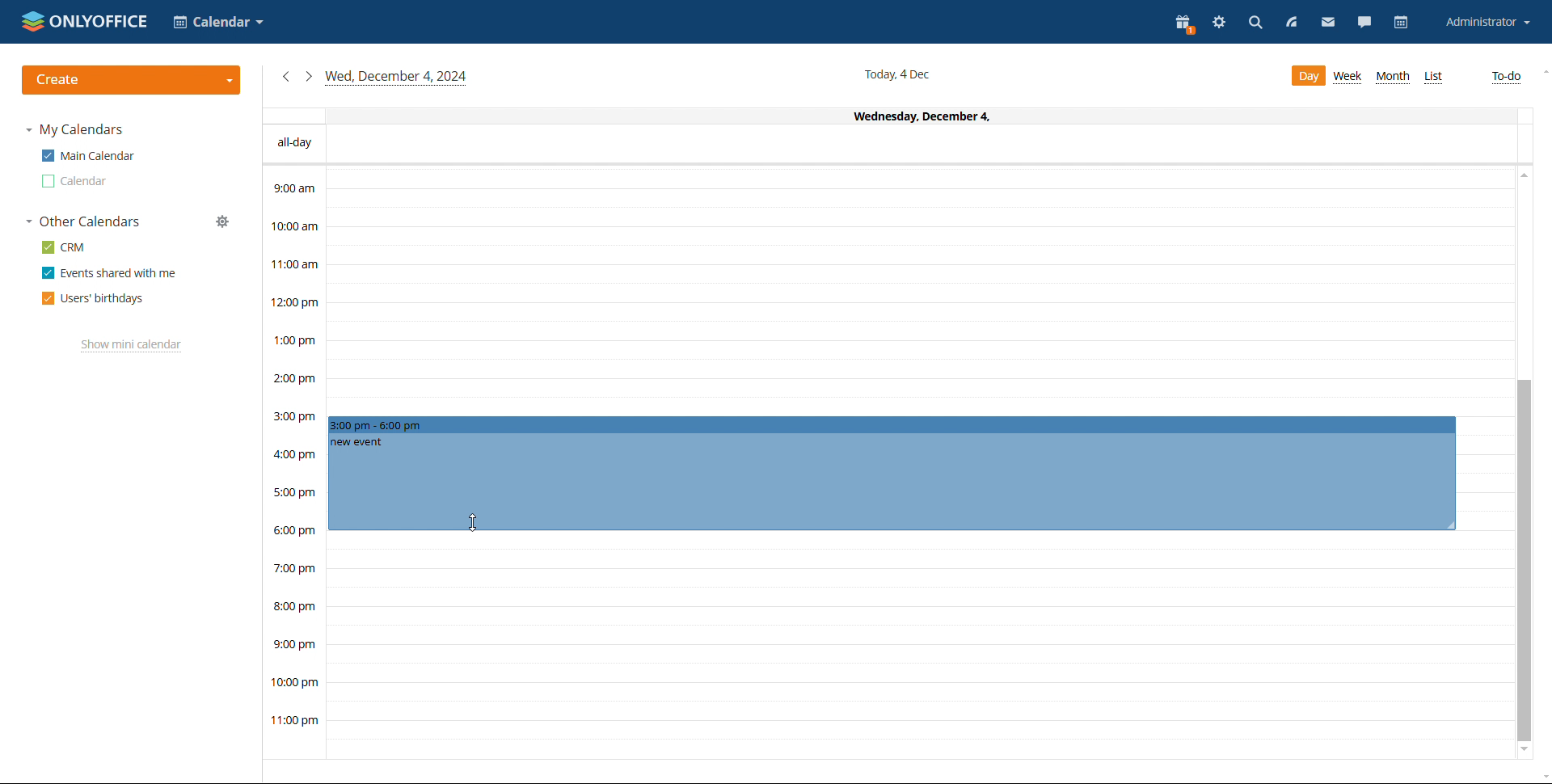 This screenshot has width=1552, height=784. I want to click on today, so click(397, 78).